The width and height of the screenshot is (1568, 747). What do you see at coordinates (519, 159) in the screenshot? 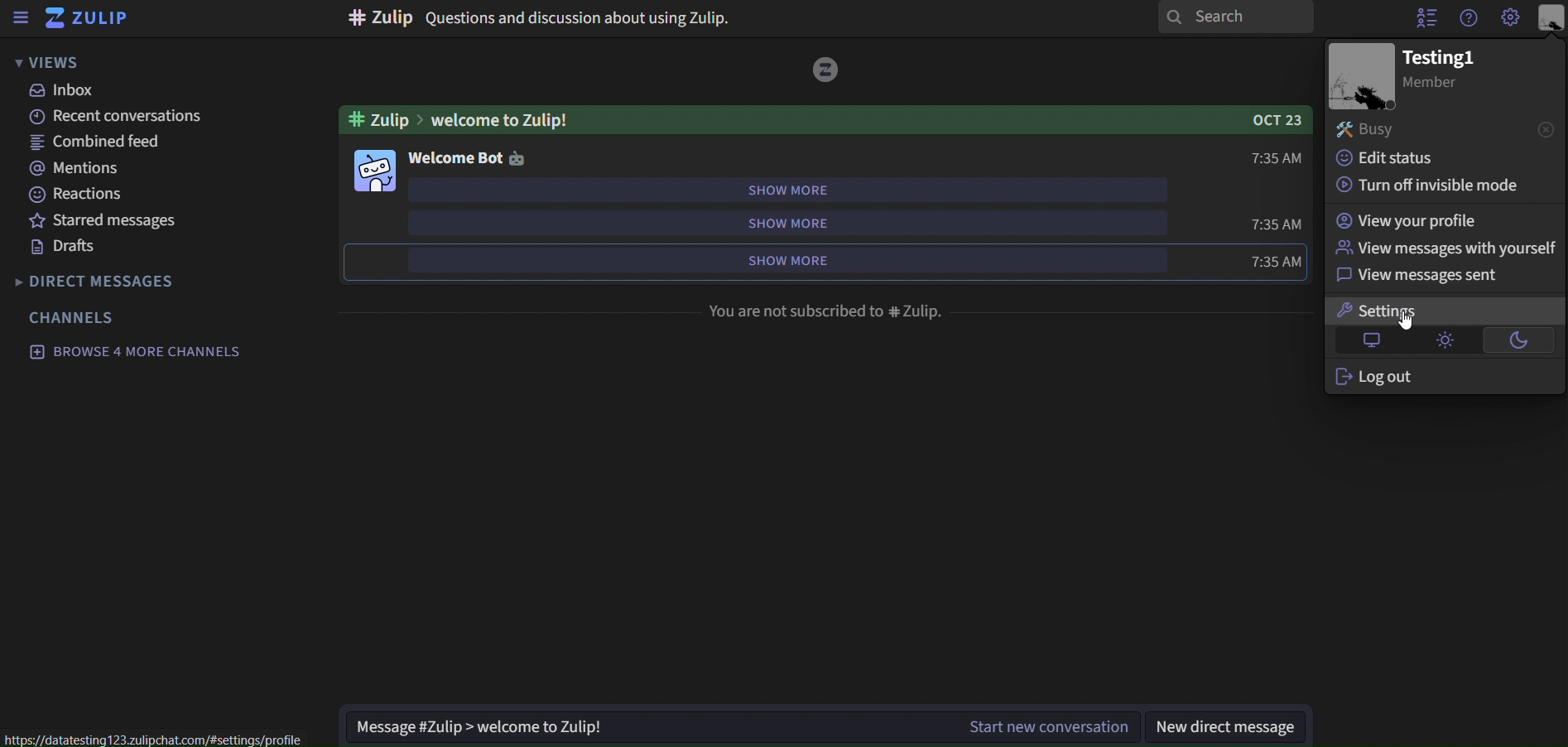
I see `icon` at bounding box center [519, 159].